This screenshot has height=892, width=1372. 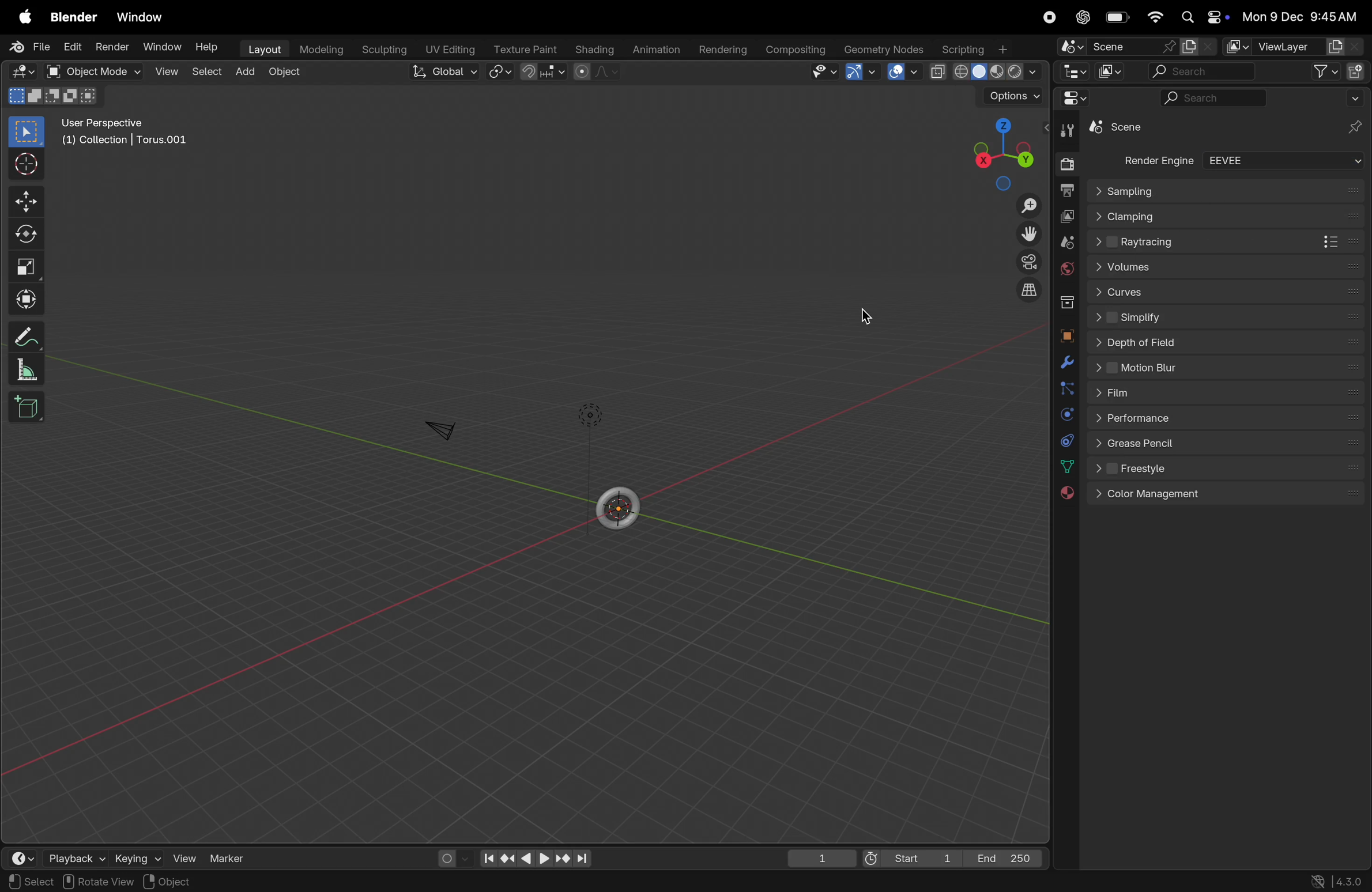 I want to click on texture point, so click(x=523, y=49).